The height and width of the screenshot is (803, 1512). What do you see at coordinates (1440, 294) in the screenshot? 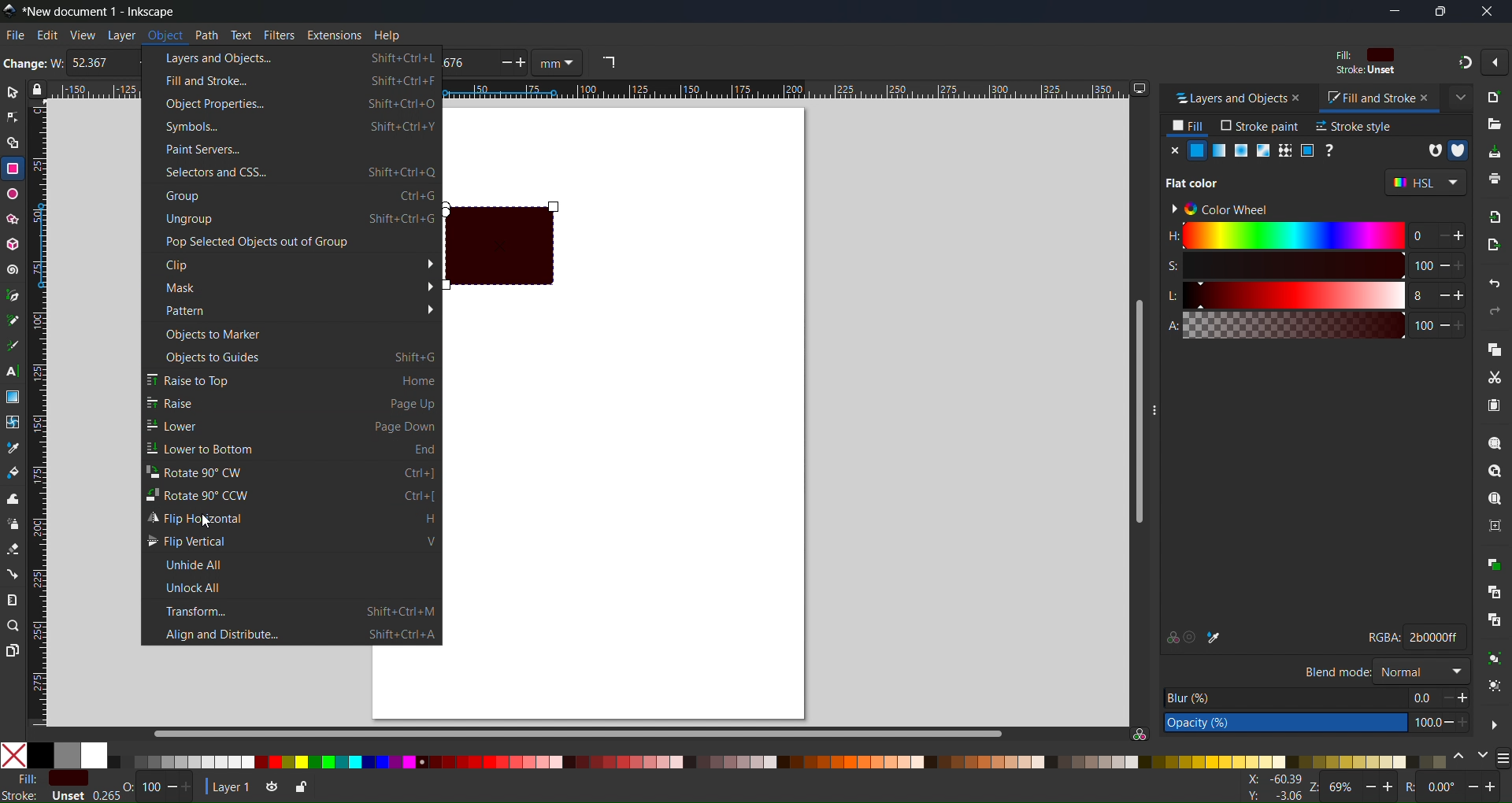
I see `decrease lightness` at bounding box center [1440, 294].